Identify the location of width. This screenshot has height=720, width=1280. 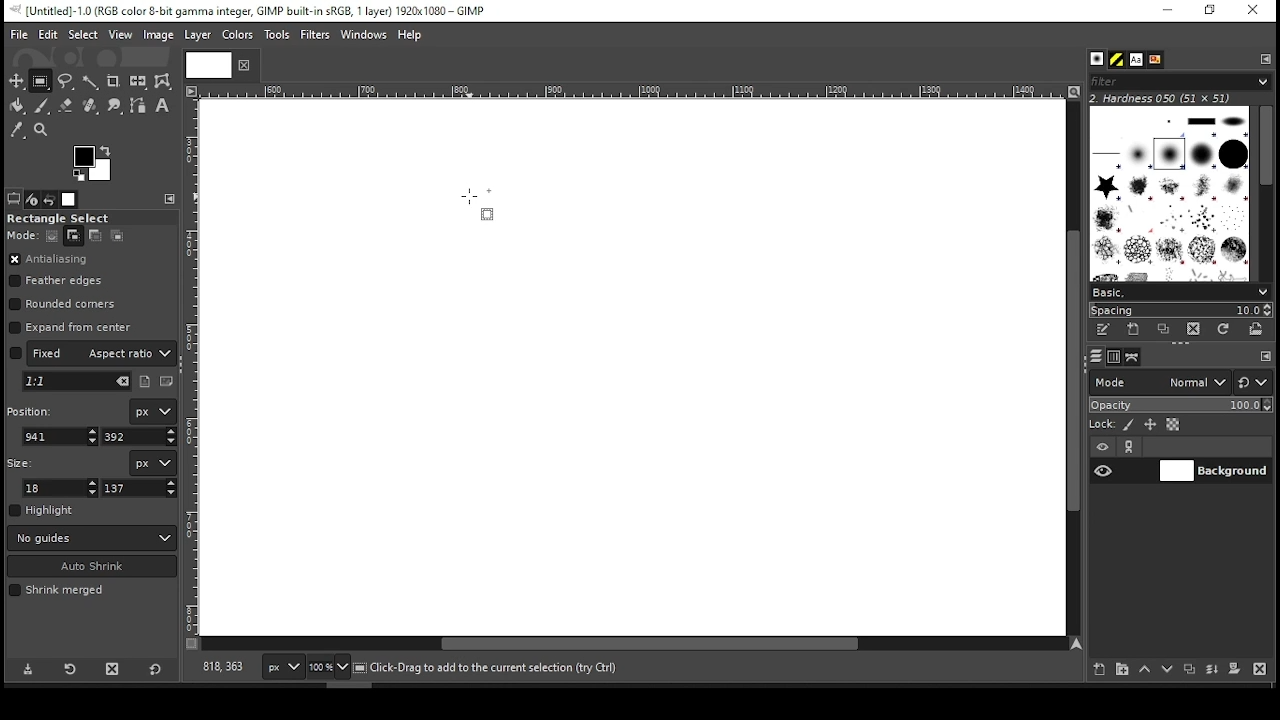
(62, 488).